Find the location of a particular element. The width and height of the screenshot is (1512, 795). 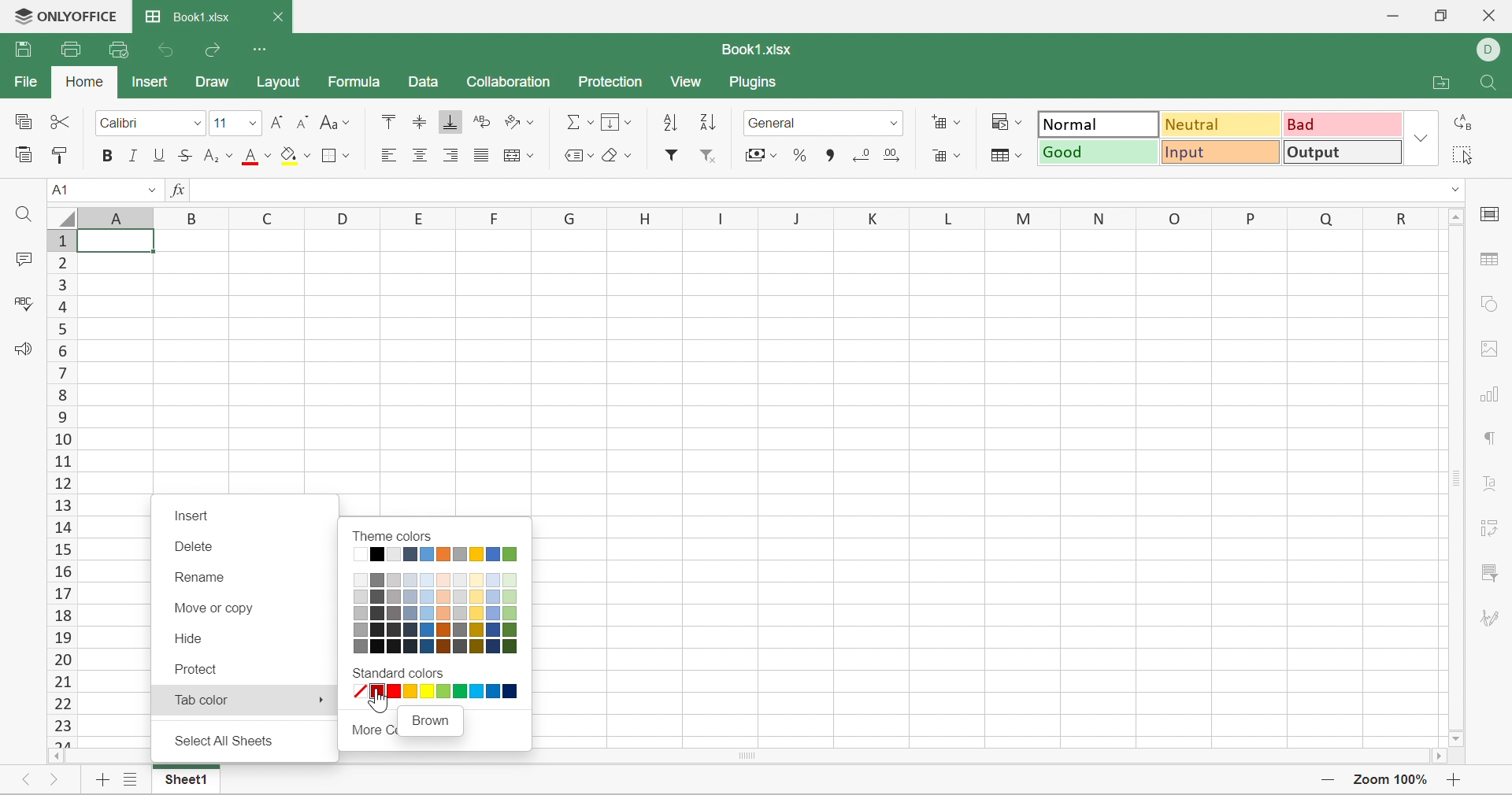

A1 is located at coordinates (63, 190).